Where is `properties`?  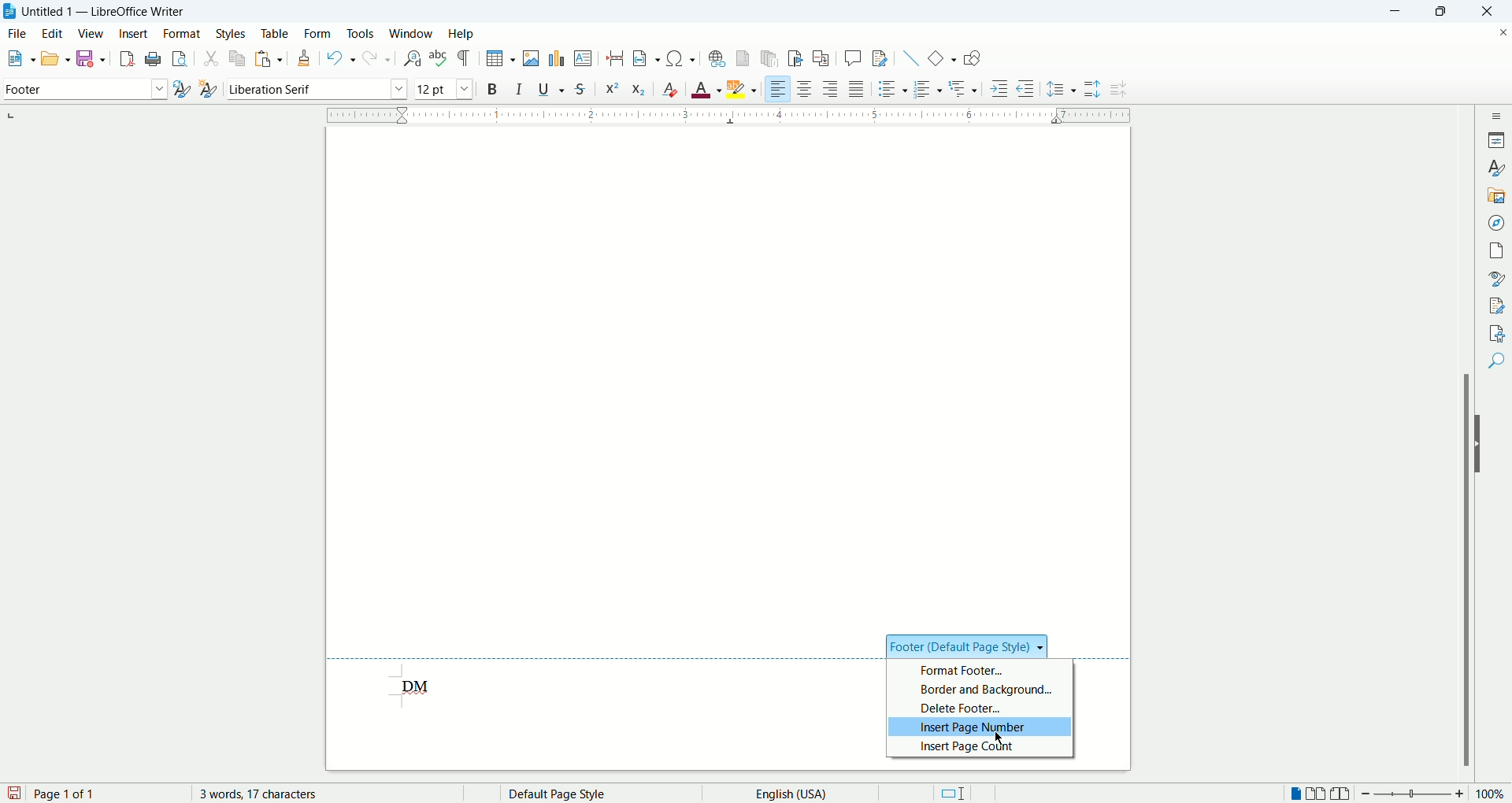 properties is located at coordinates (1498, 139).